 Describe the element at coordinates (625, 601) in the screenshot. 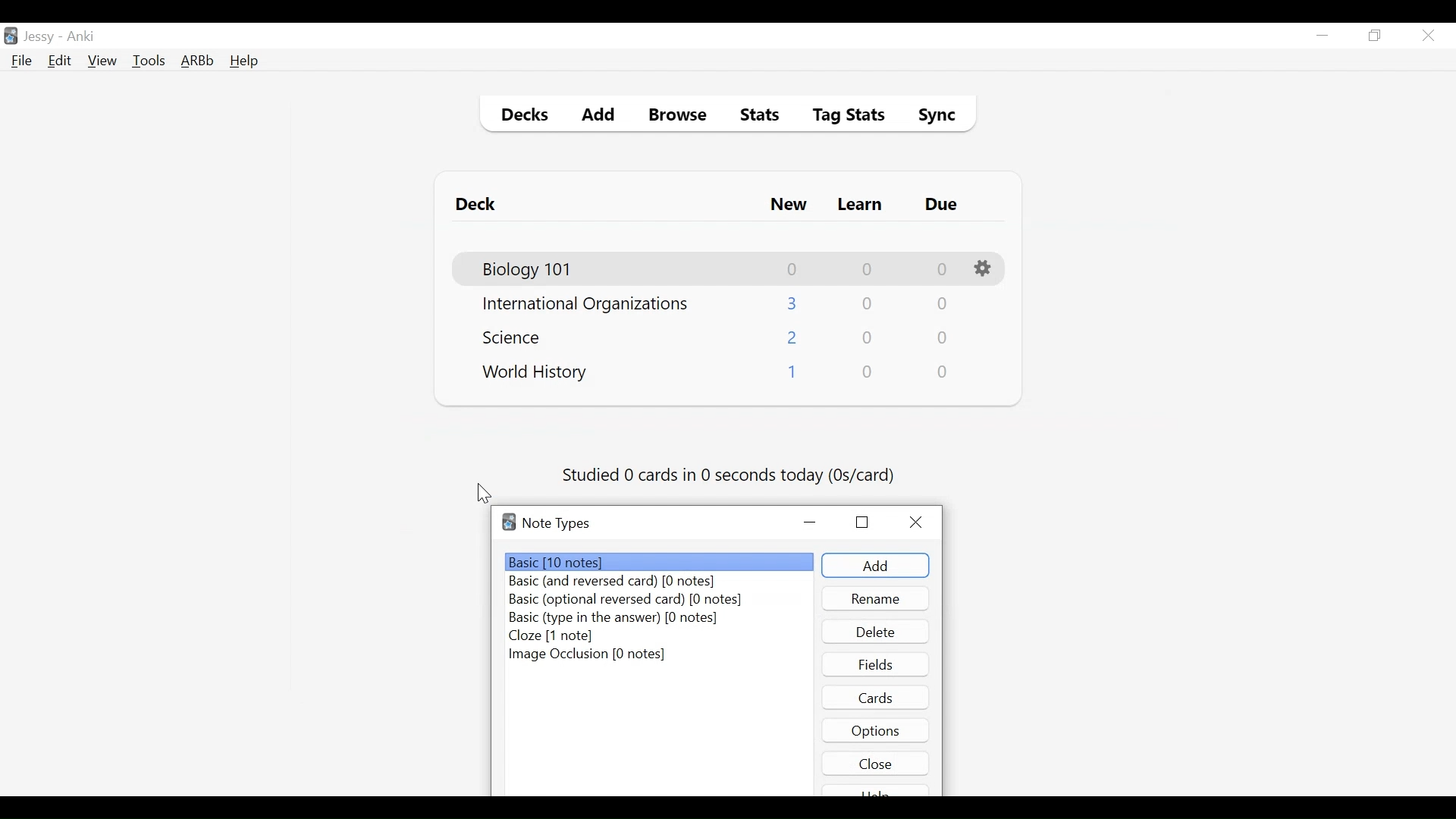

I see `Basic (optional reversed card) (number of notes)` at that location.